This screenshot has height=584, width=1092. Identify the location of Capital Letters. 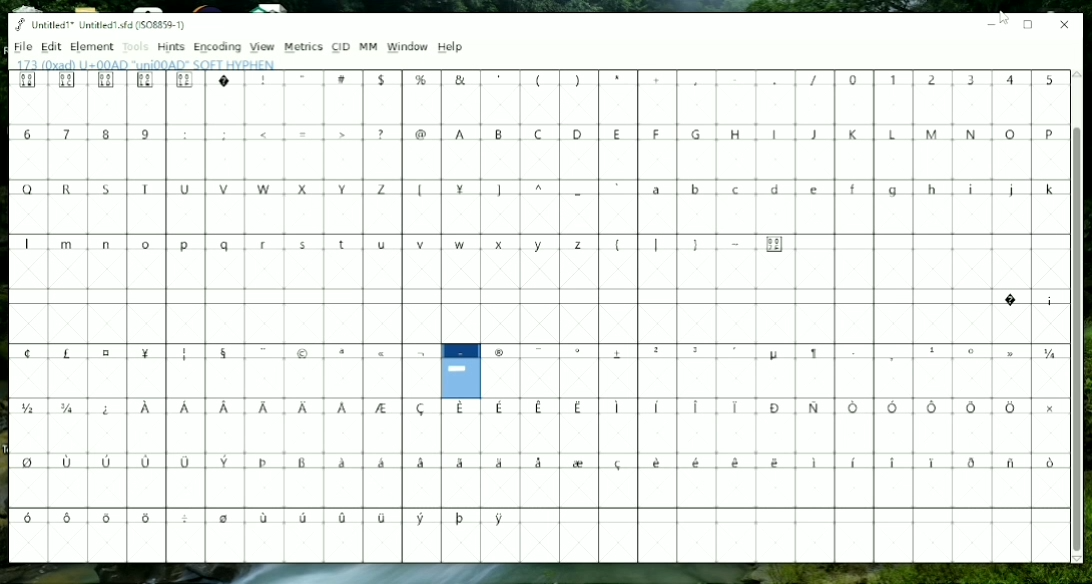
(755, 136).